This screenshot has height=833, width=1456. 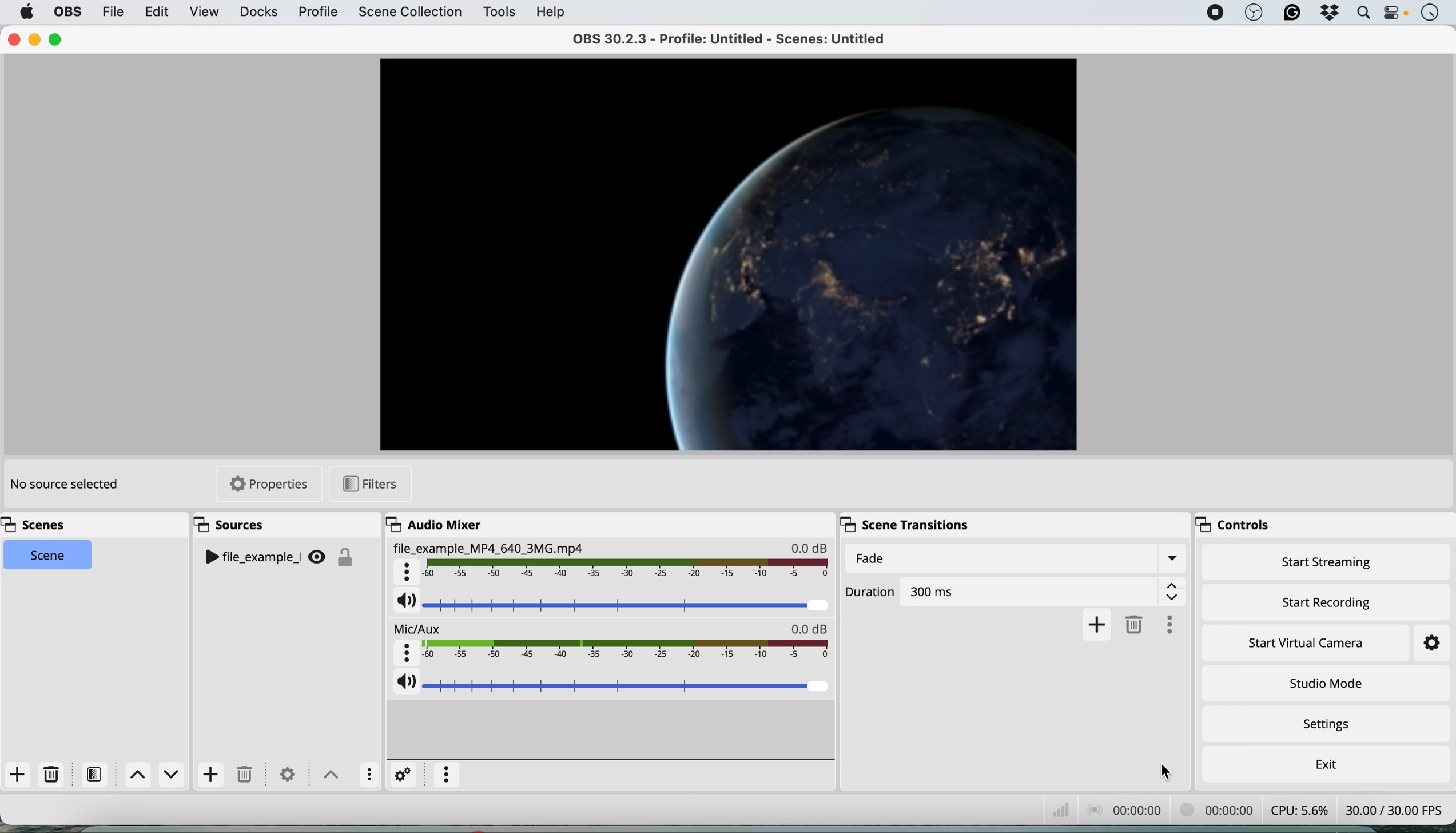 I want to click on settings, so click(x=1421, y=644).